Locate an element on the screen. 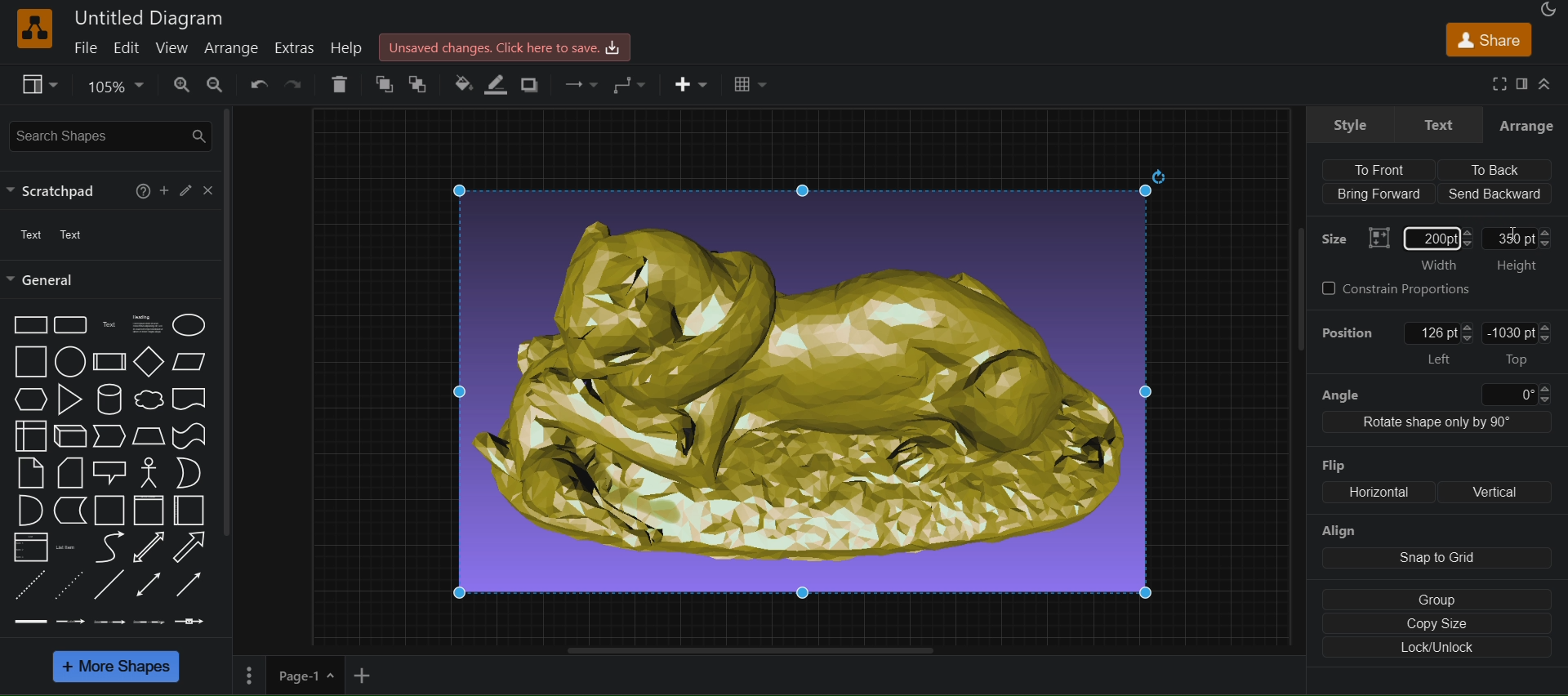 The image size is (1568, 696). style is located at coordinates (1351, 124).